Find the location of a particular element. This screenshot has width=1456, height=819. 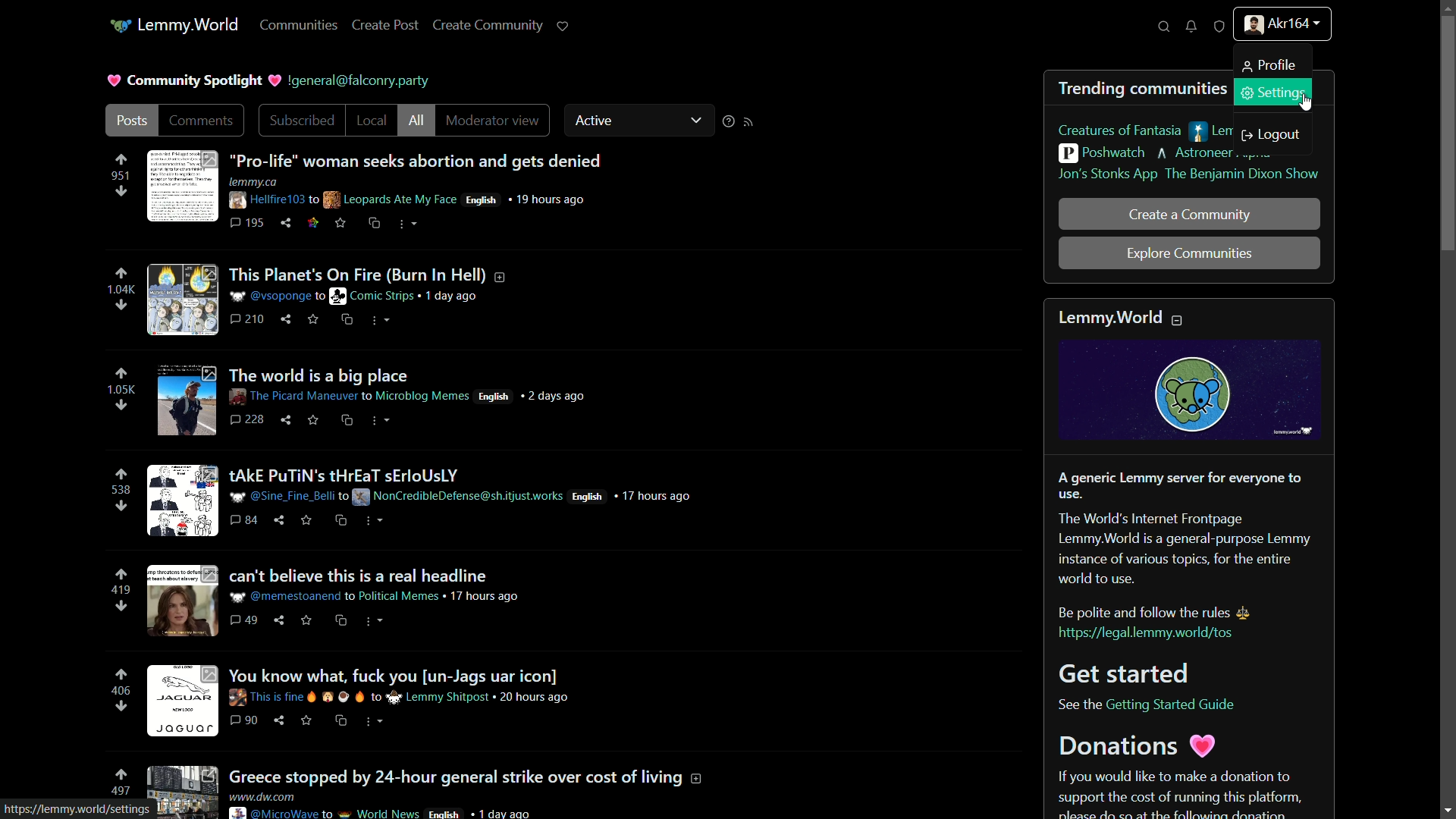

settings is located at coordinates (1272, 91).